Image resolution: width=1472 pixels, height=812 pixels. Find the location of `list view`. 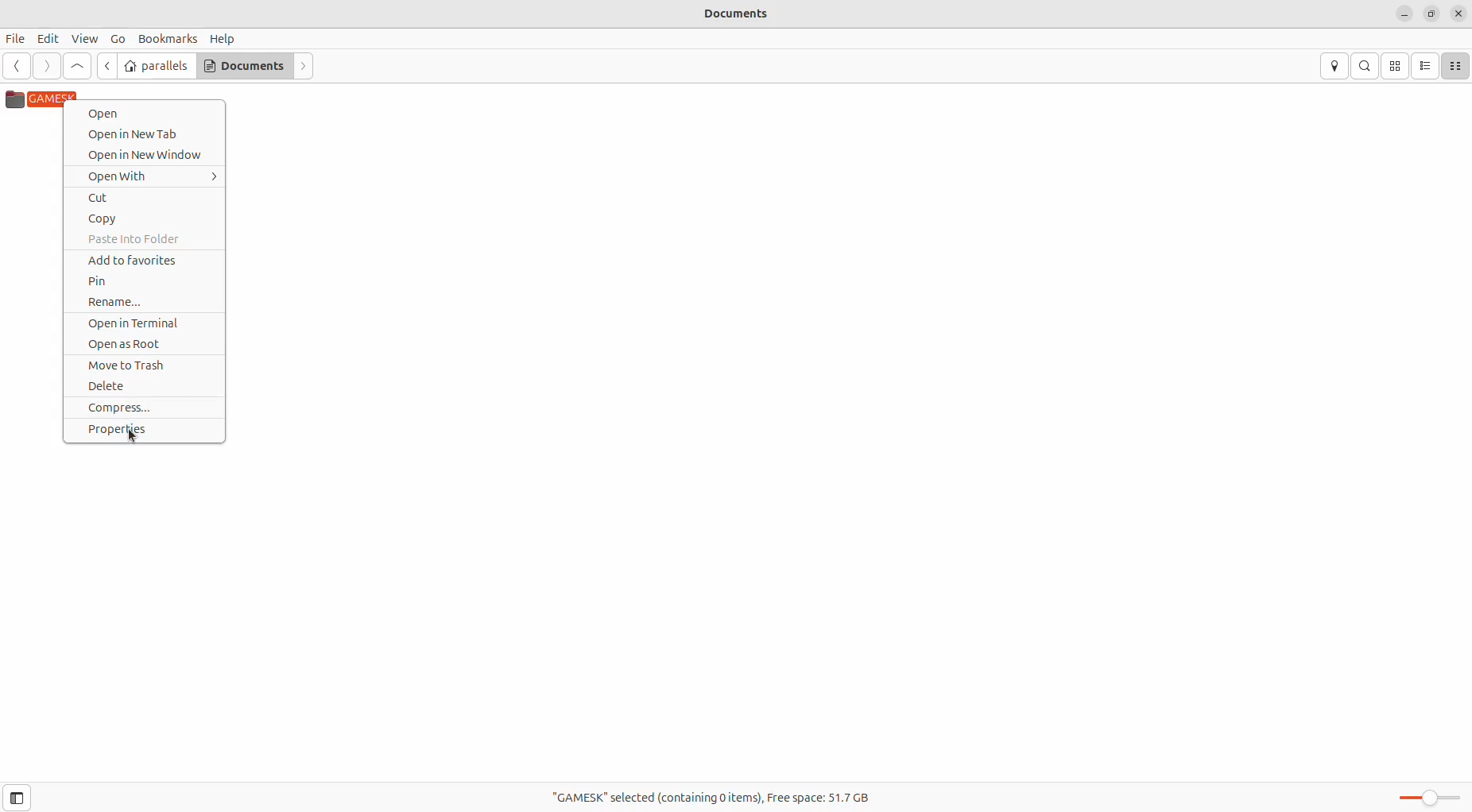

list view is located at coordinates (1424, 66).